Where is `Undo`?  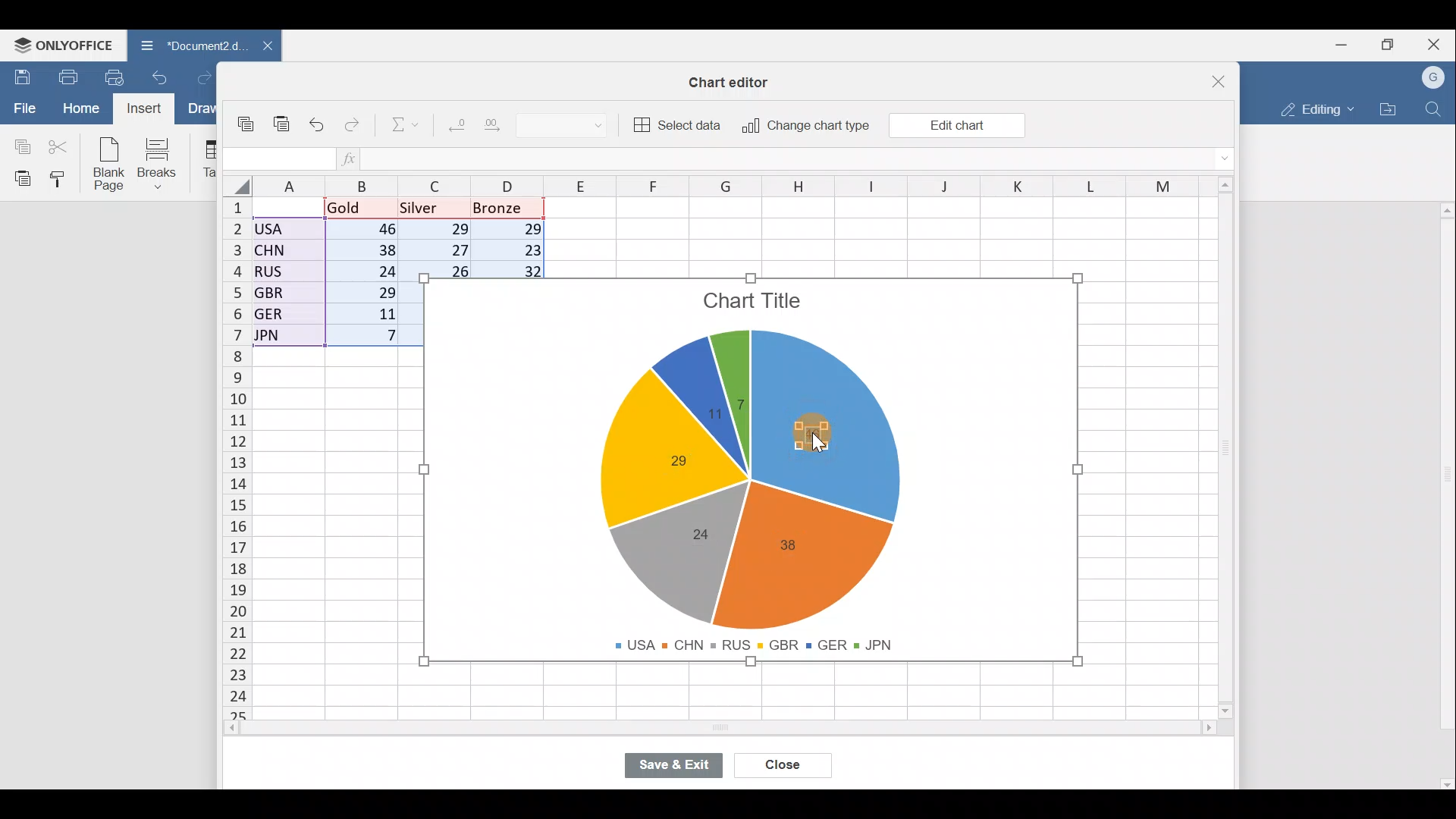
Undo is located at coordinates (320, 126).